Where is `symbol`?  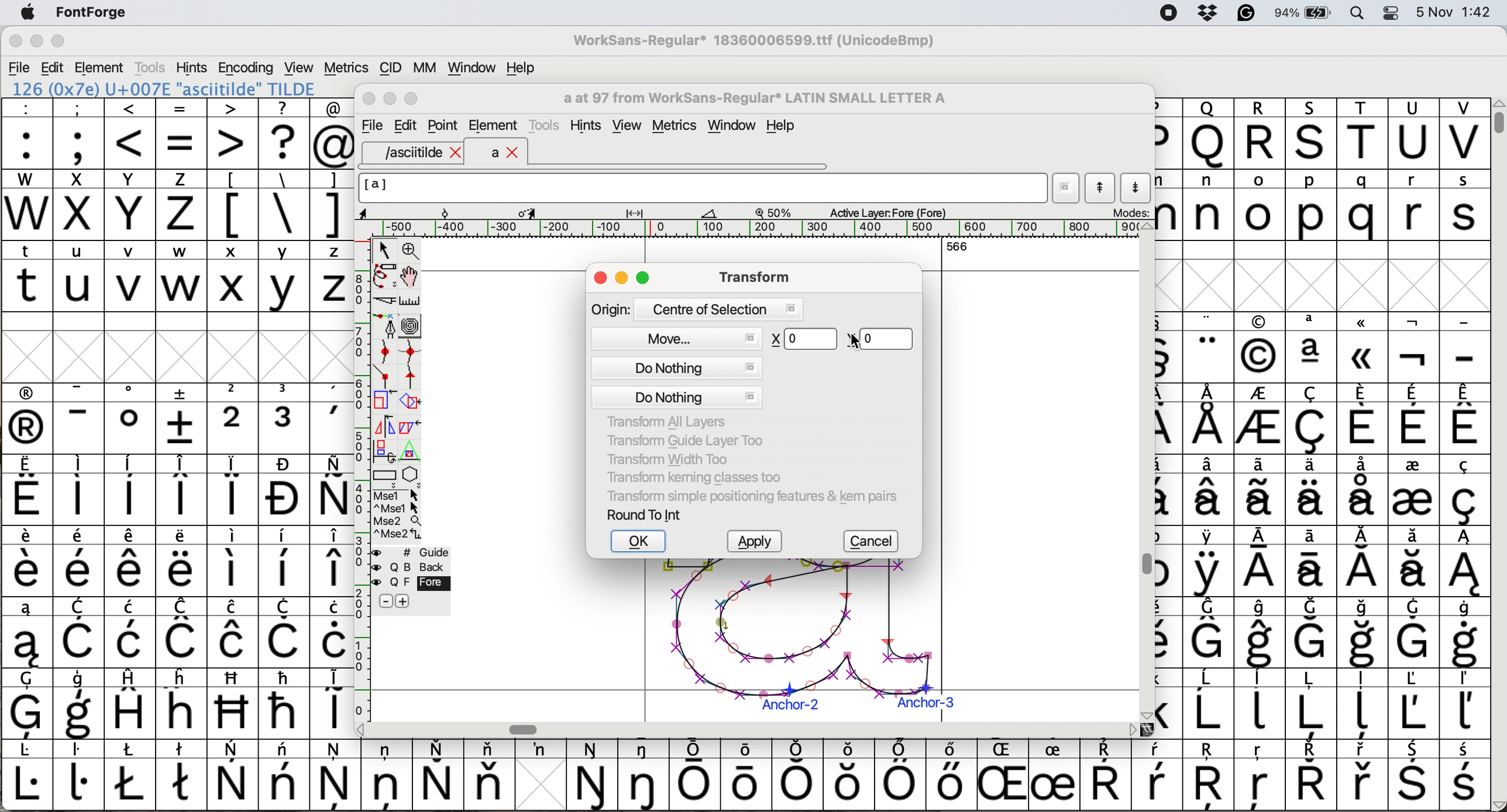
symbol is located at coordinates (1157, 775).